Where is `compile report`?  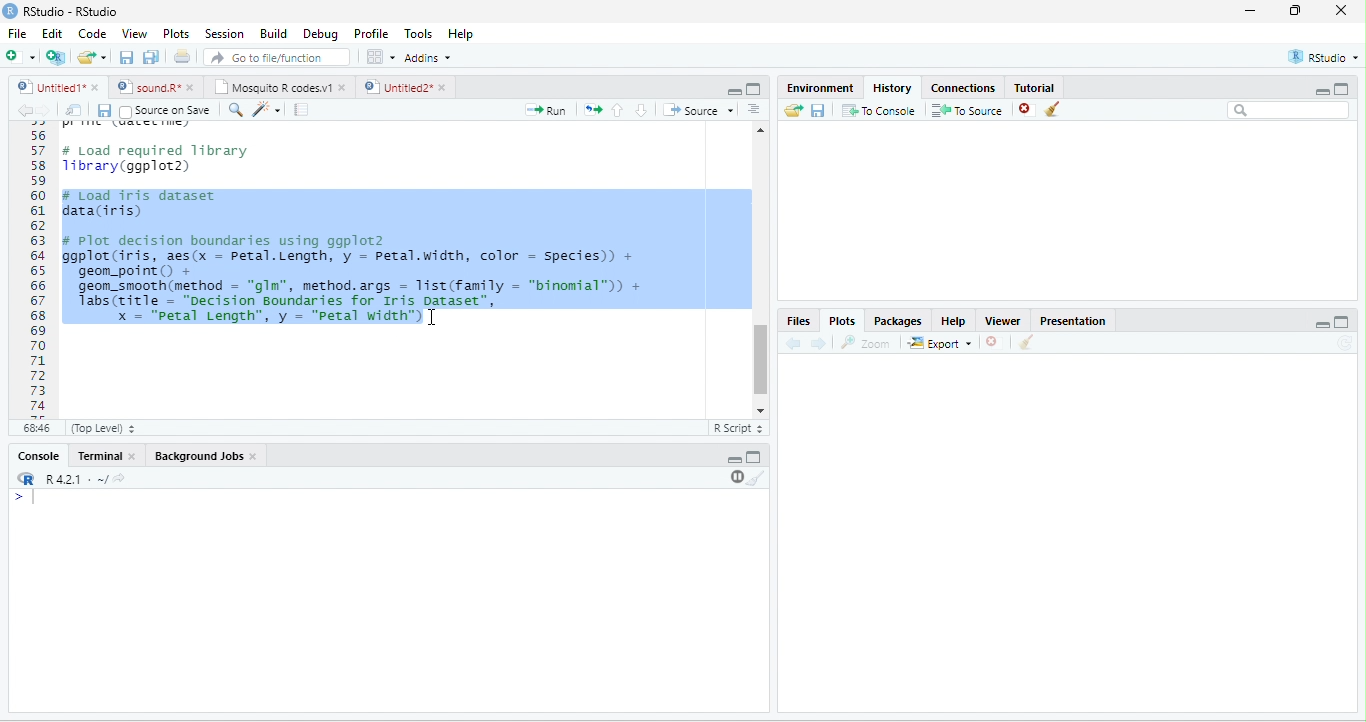
compile report is located at coordinates (301, 109).